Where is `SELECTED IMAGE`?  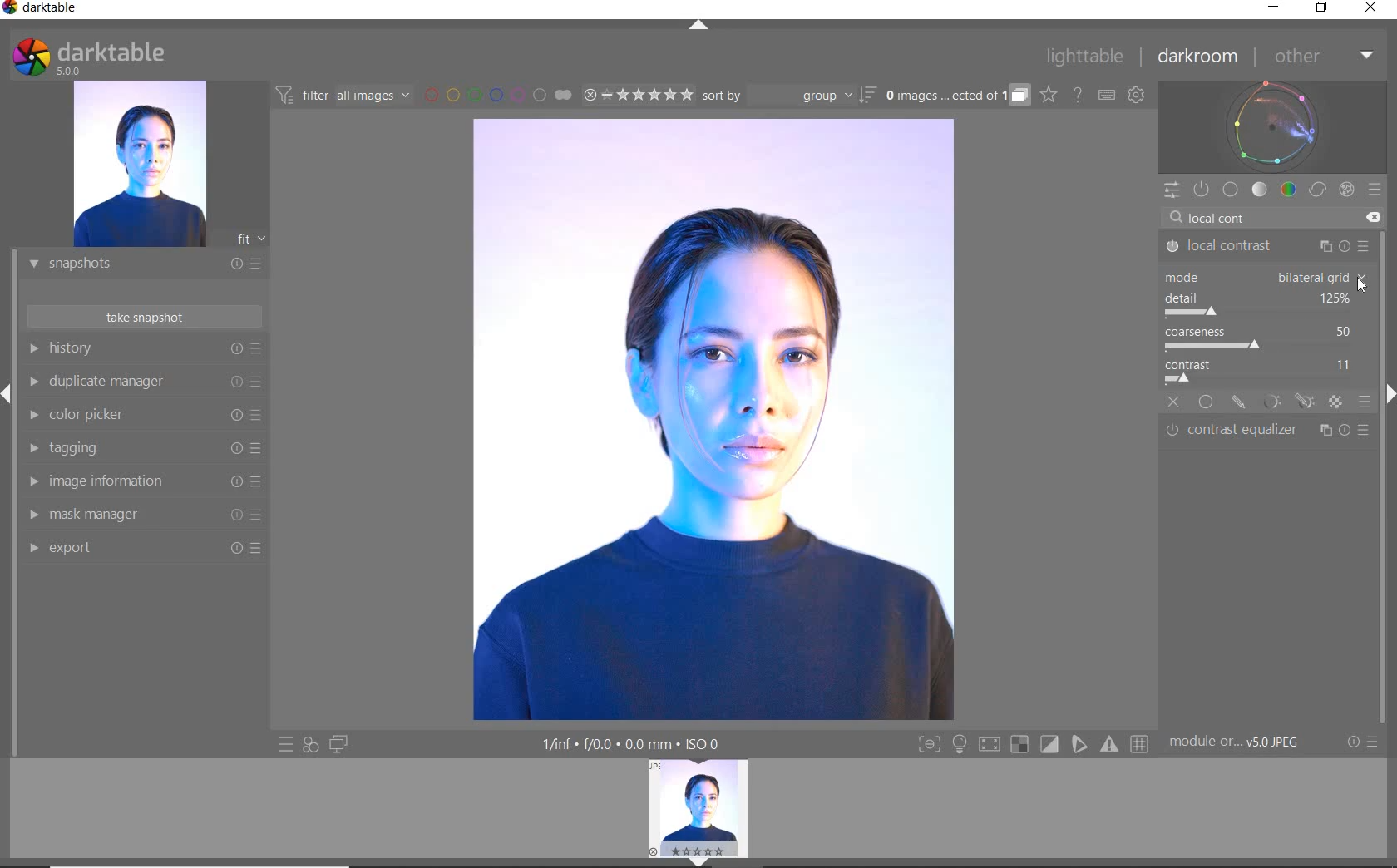
SELECTED IMAGE is located at coordinates (712, 417).